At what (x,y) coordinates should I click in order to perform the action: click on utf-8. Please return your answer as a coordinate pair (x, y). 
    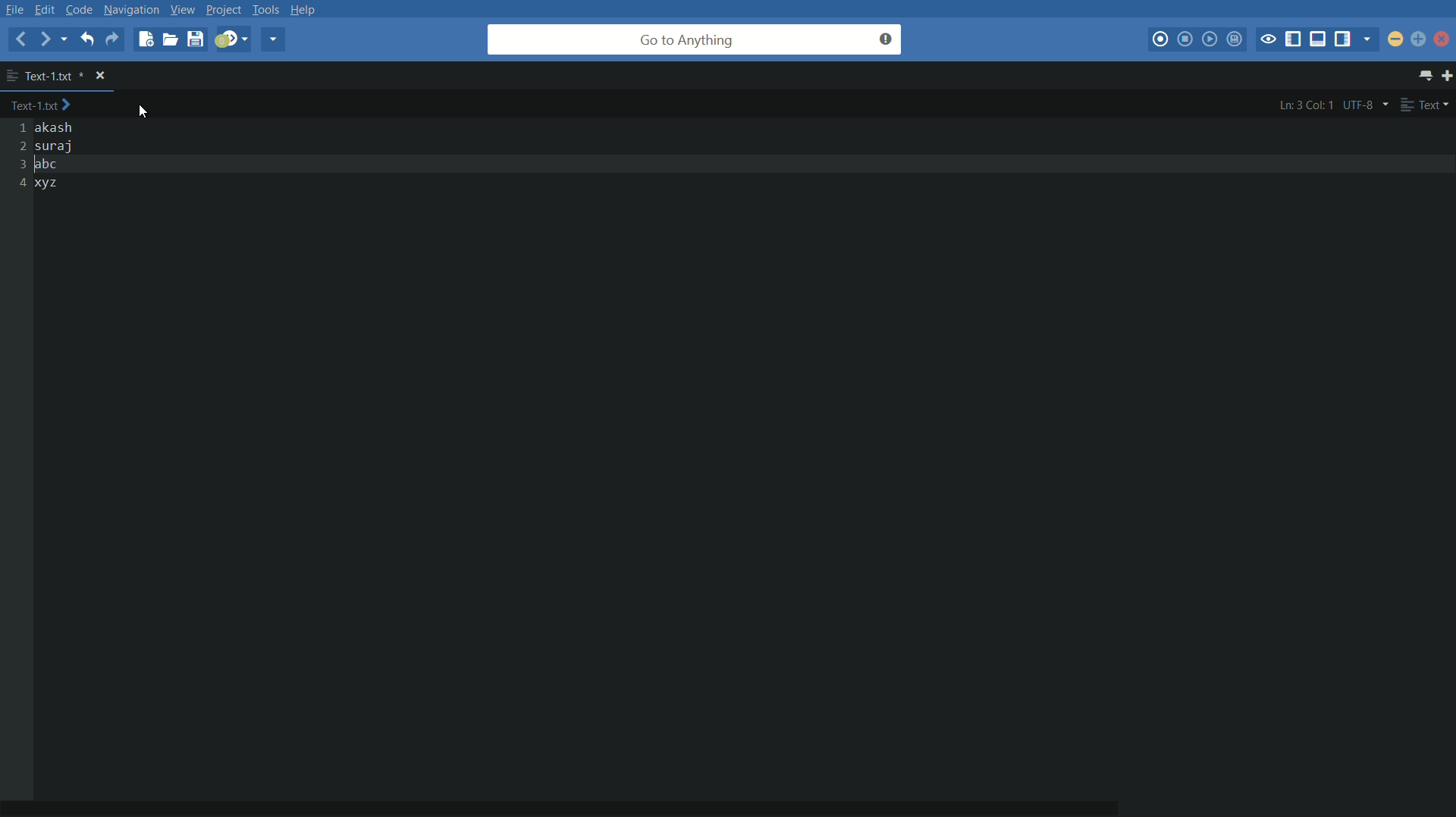
    Looking at the image, I should click on (1366, 105).